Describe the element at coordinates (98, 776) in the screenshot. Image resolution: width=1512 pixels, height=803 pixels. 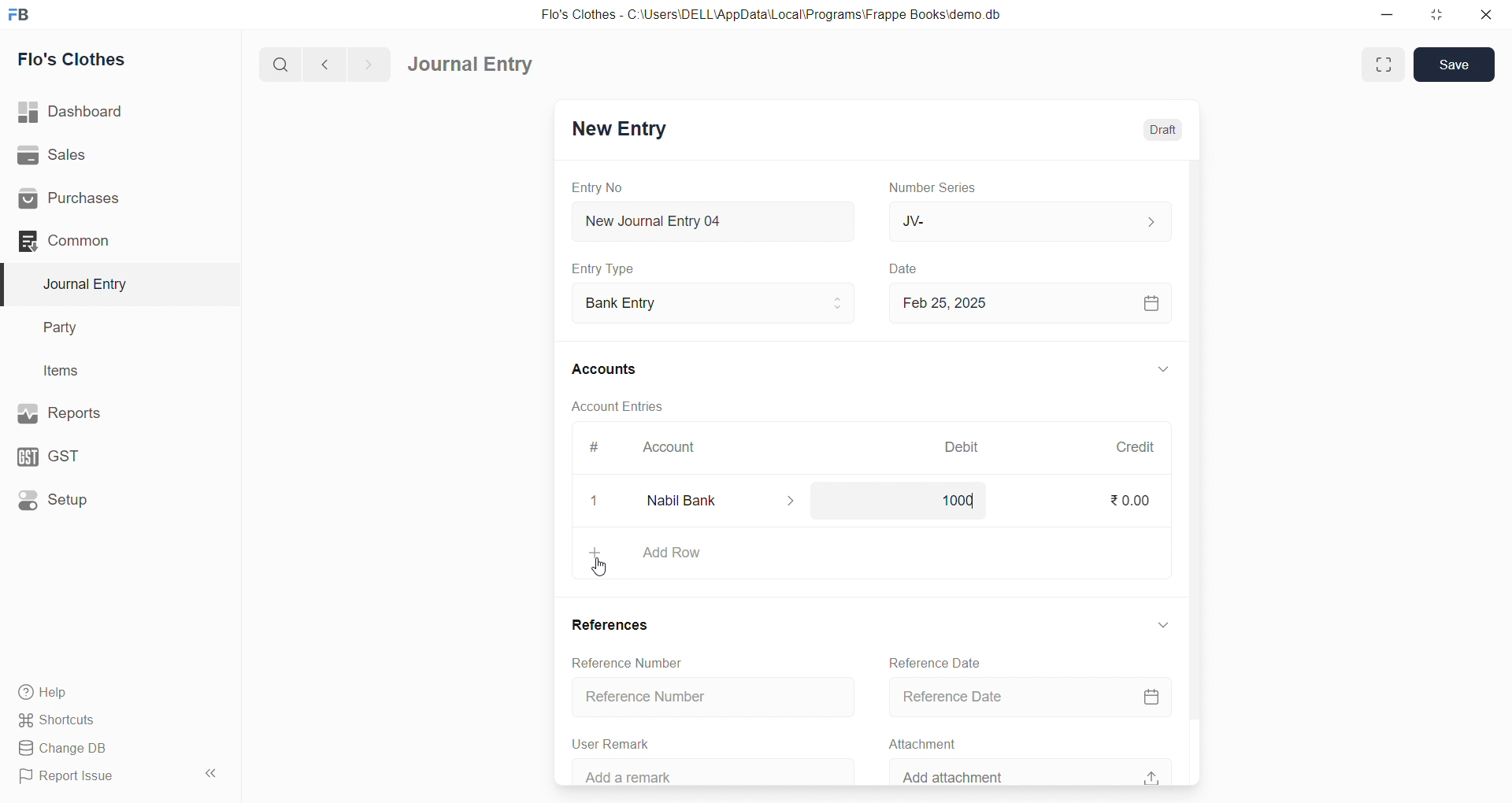
I see `Report Issue` at that location.